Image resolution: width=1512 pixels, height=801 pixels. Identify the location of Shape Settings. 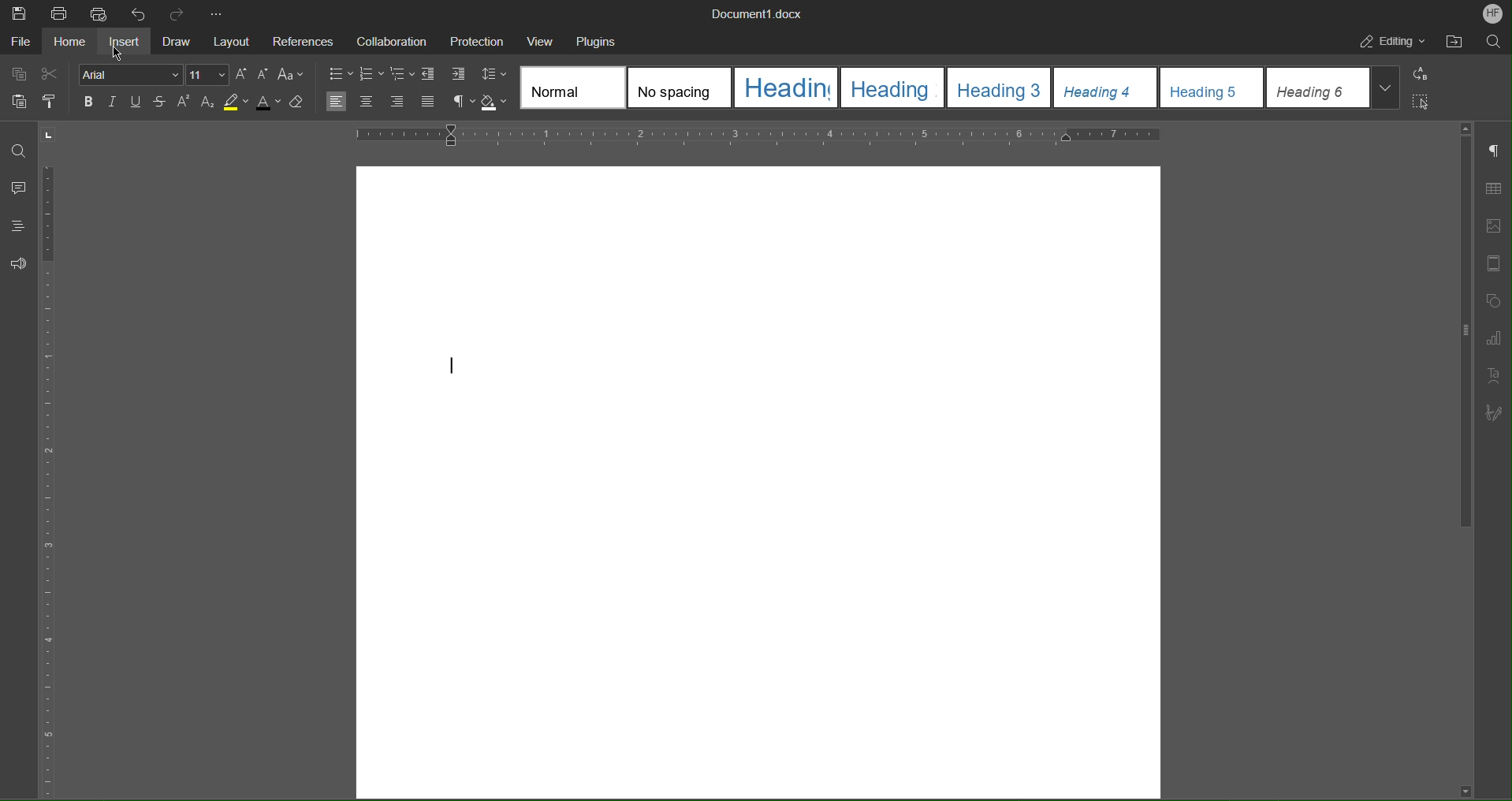
(1493, 302).